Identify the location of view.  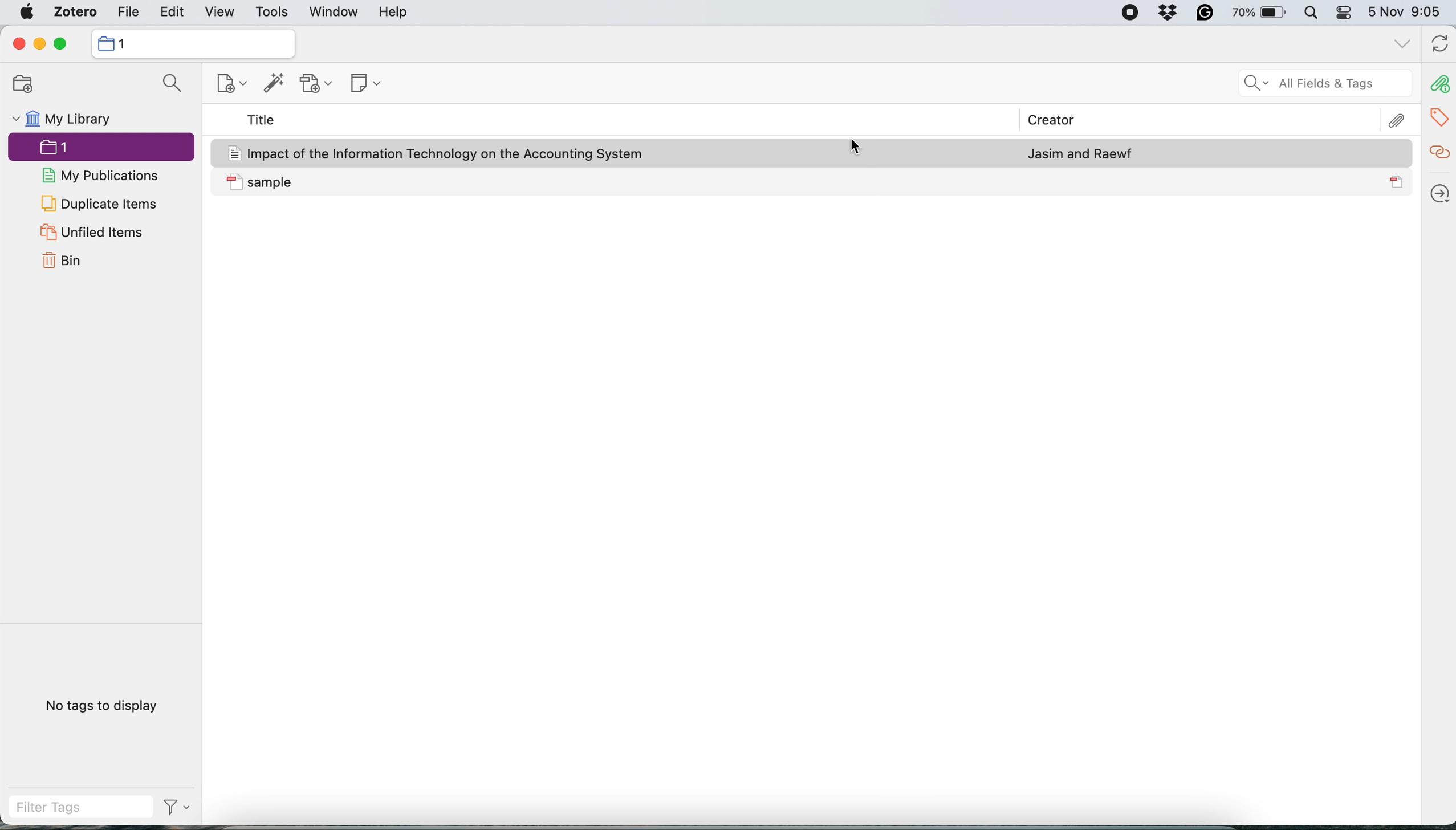
(219, 13).